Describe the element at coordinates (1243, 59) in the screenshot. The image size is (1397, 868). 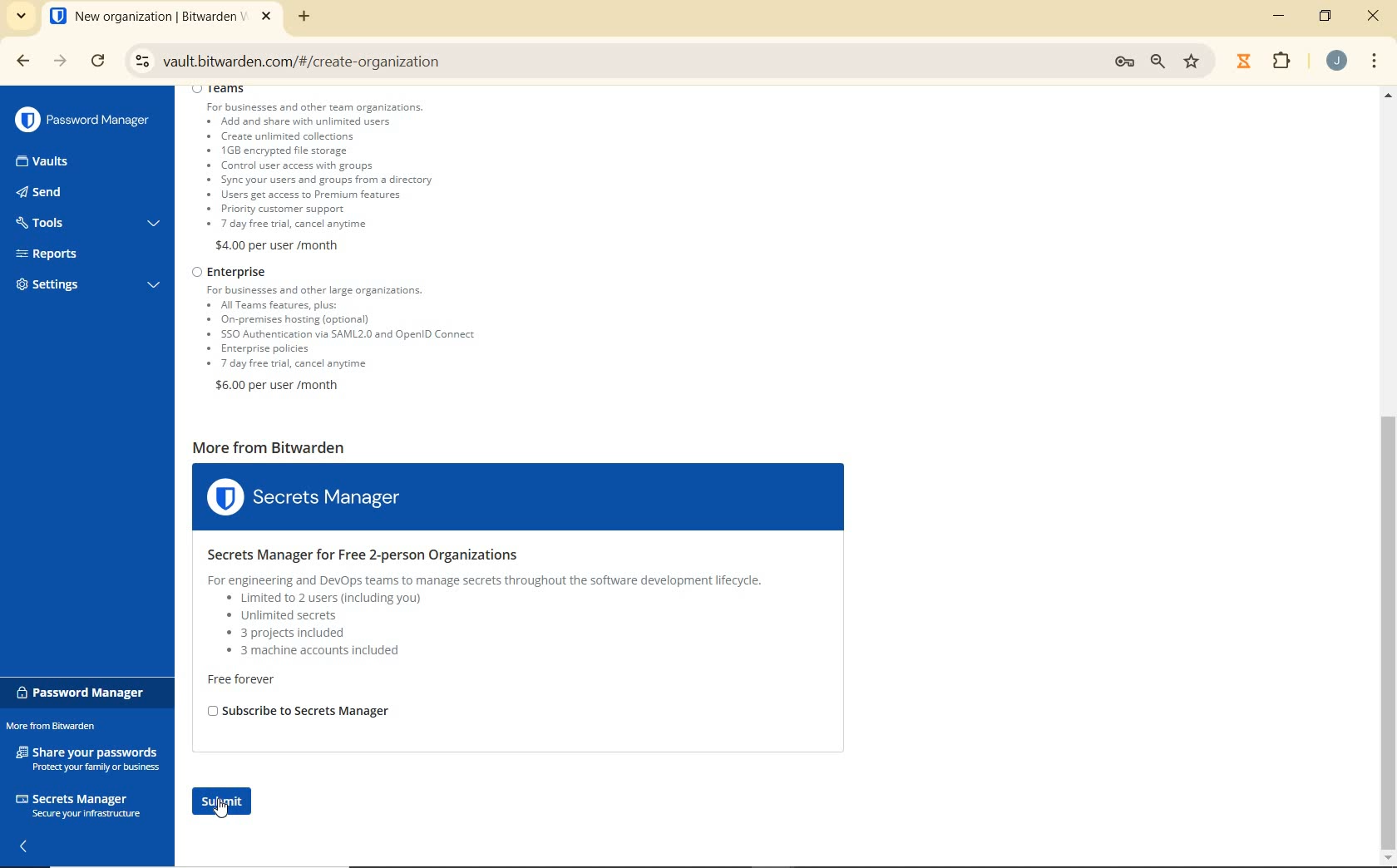
I see `JIBBLE` at that location.